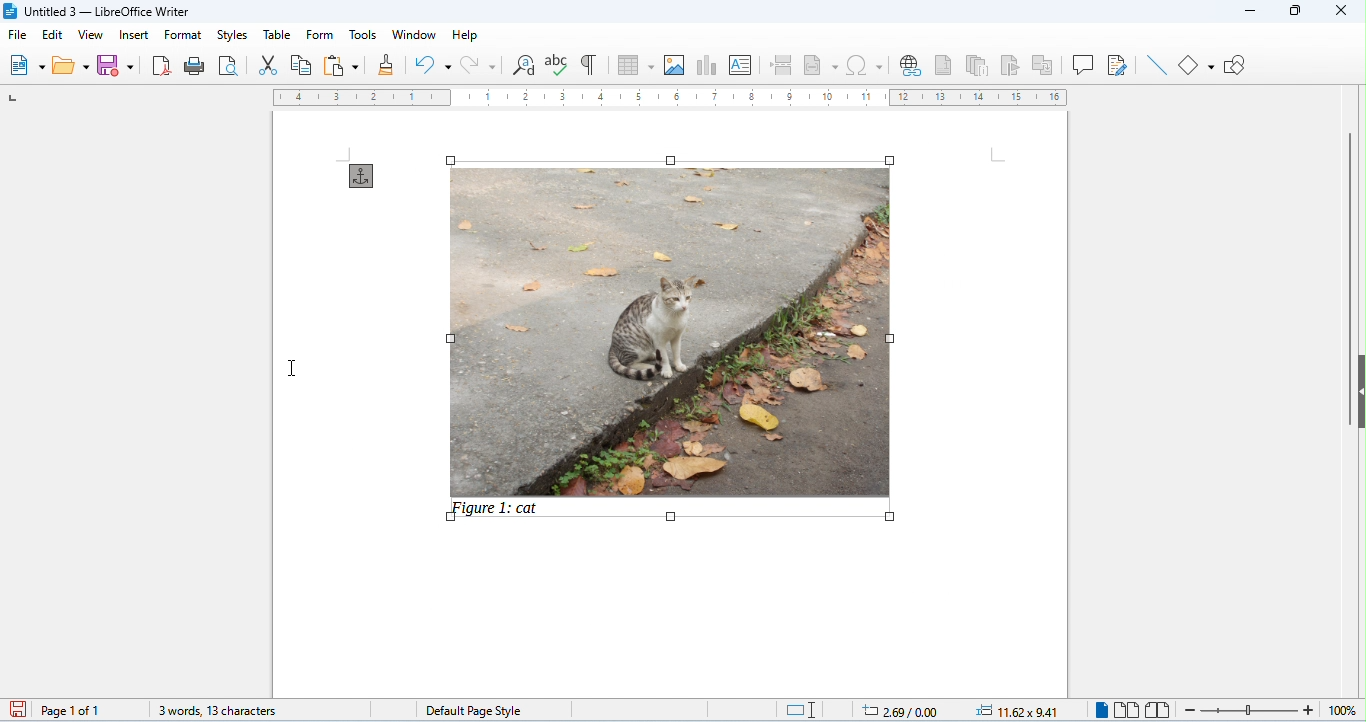 The image size is (1366, 722). Describe the element at coordinates (291, 366) in the screenshot. I see `cursor movement` at that location.